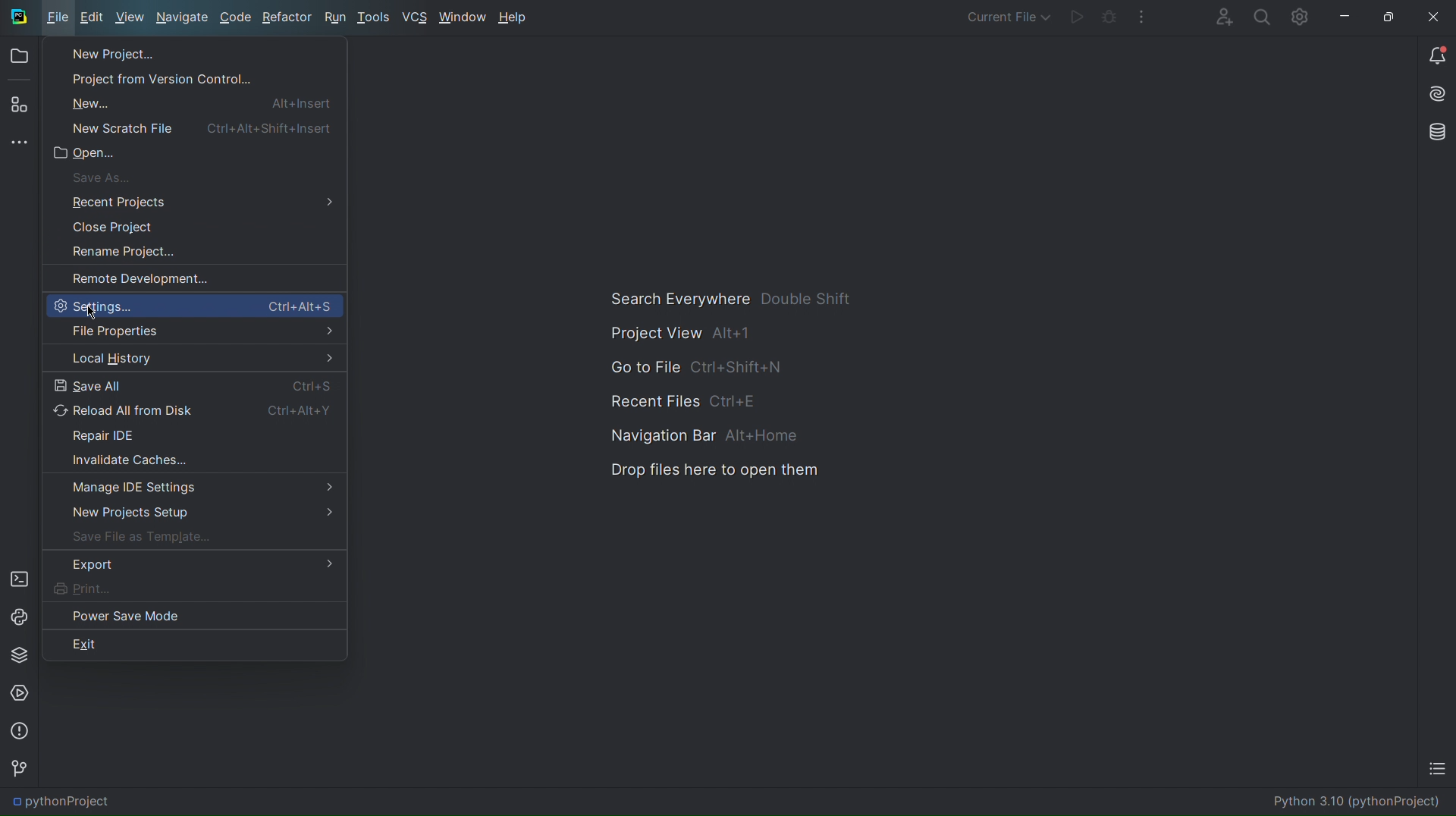 This screenshot has height=816, width=1456. What do you see at coordinates (516, 17) in the screenshot?
I see `Help` at bounding box center [516, 17].